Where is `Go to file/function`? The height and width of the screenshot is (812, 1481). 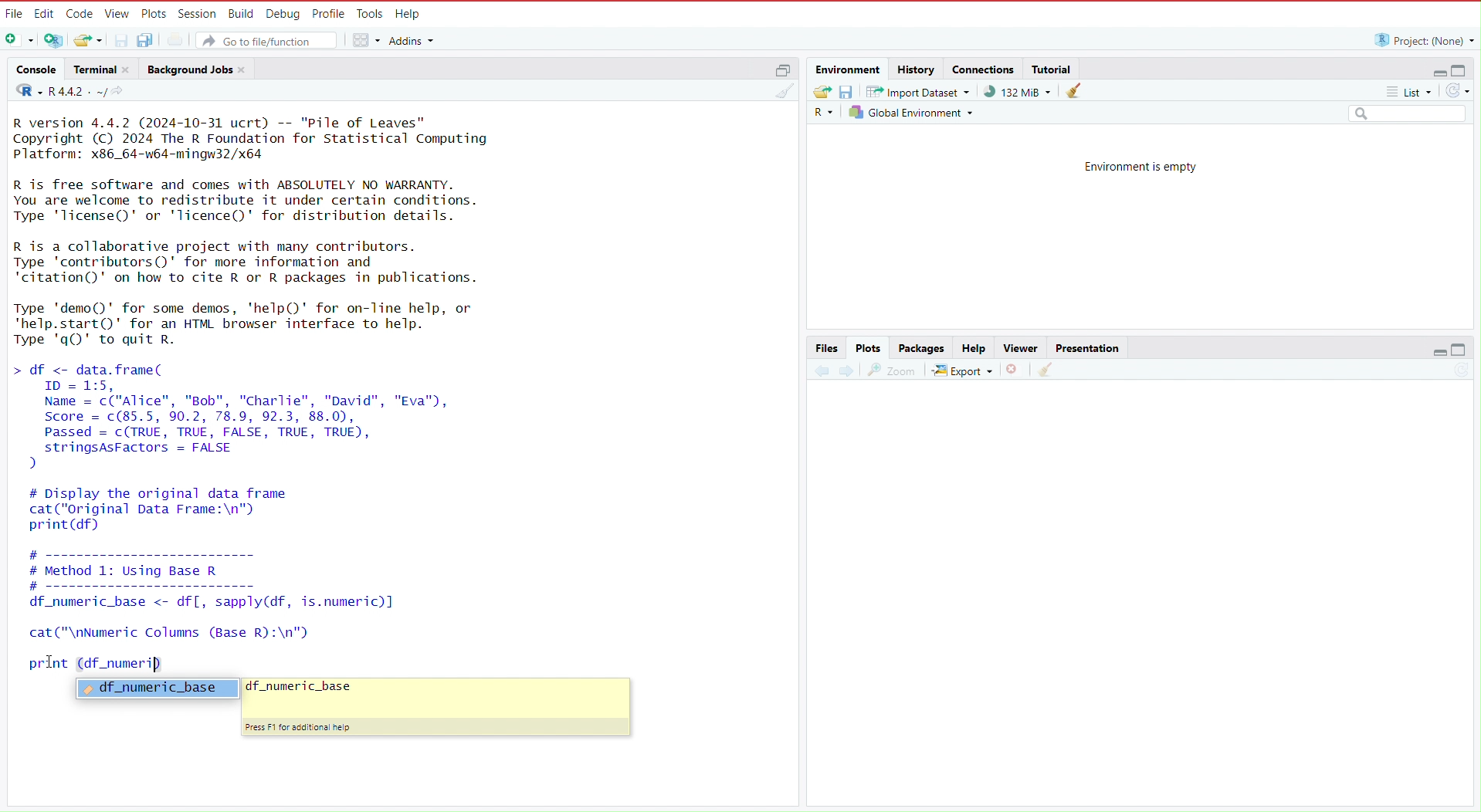 Go to file/function is located at coordinates (269, 39).